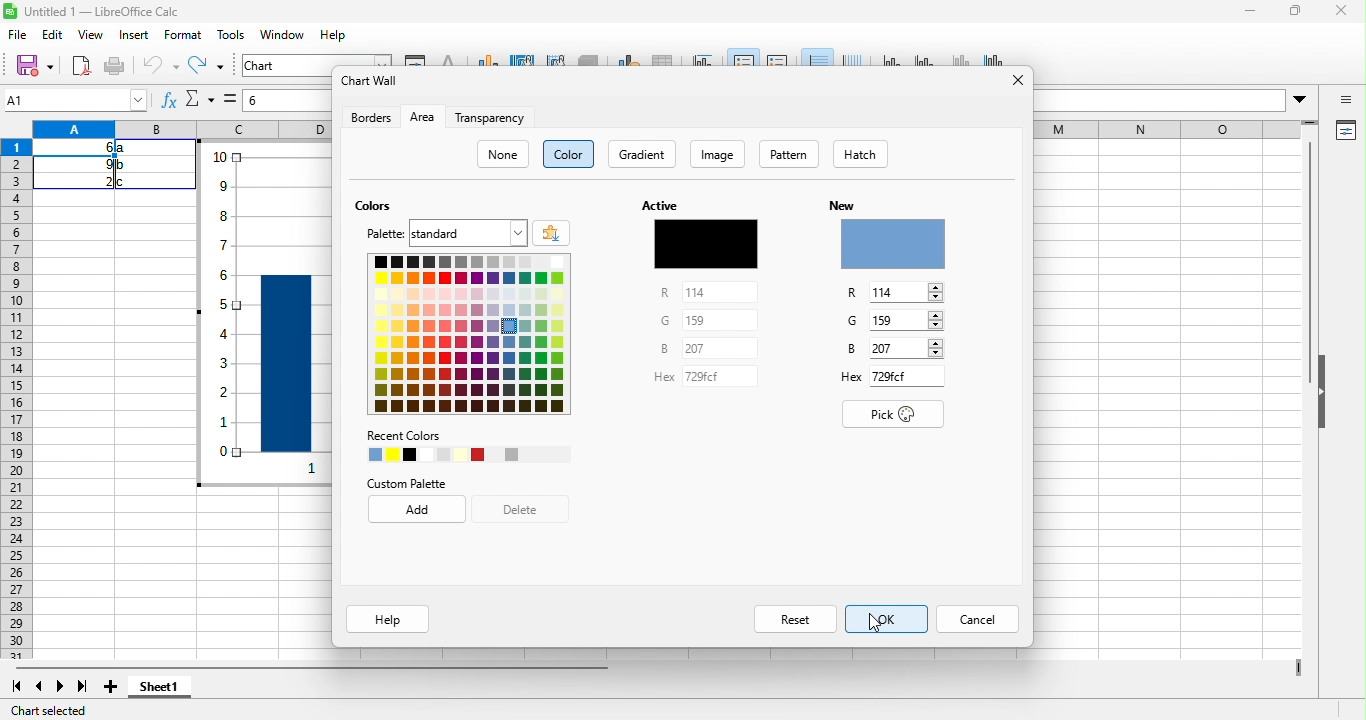 This screenshot has height=720, width=1366. Describe the element at coordinates (793, 618) in the screenshot. I see `reset` at that location.